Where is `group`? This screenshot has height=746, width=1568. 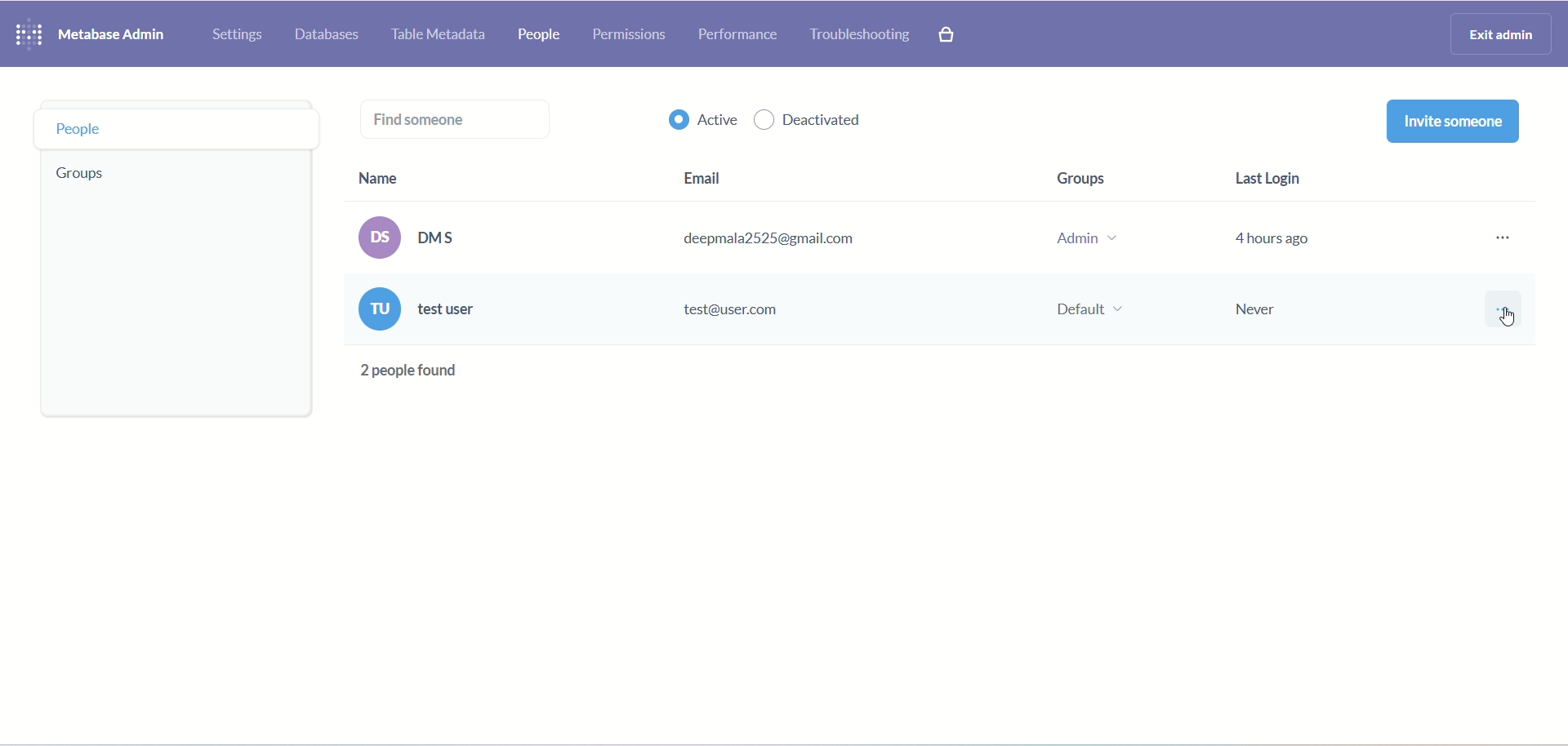
group is located at coordinates (78, 178).